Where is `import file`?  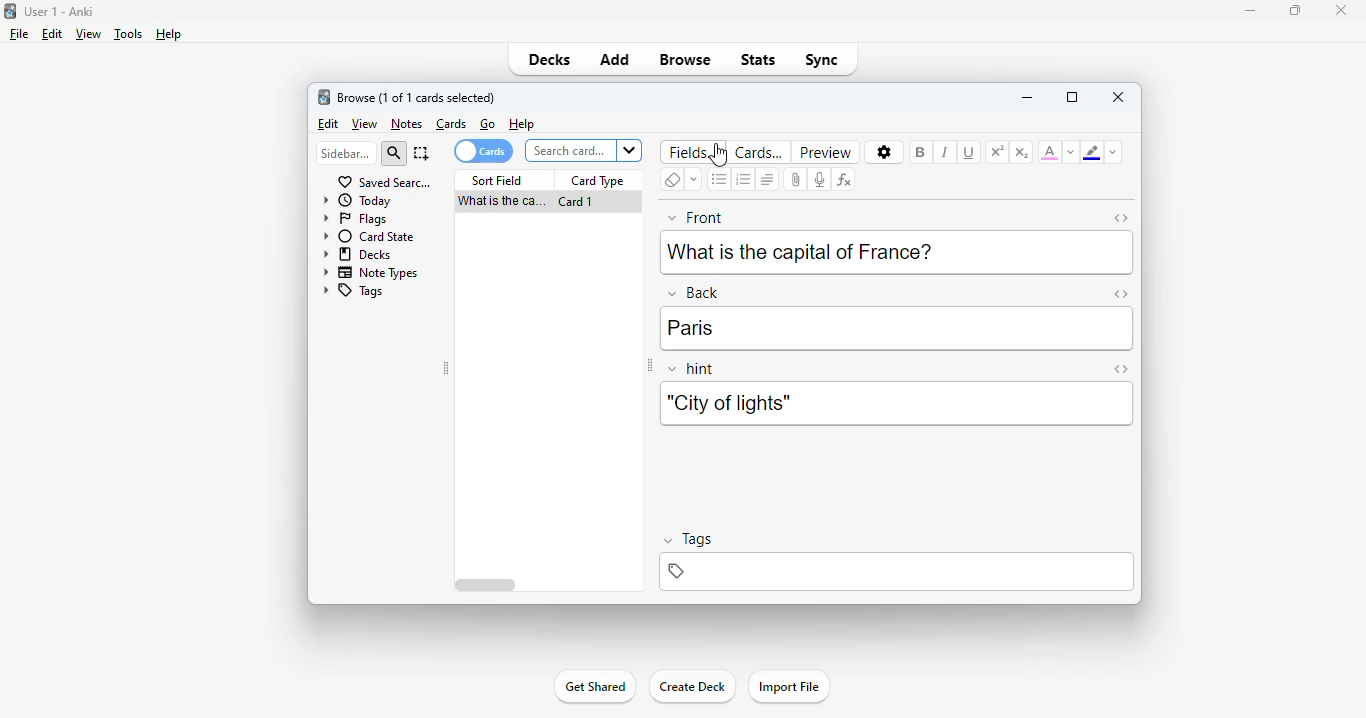
import file is located at coordinates (788, 687).